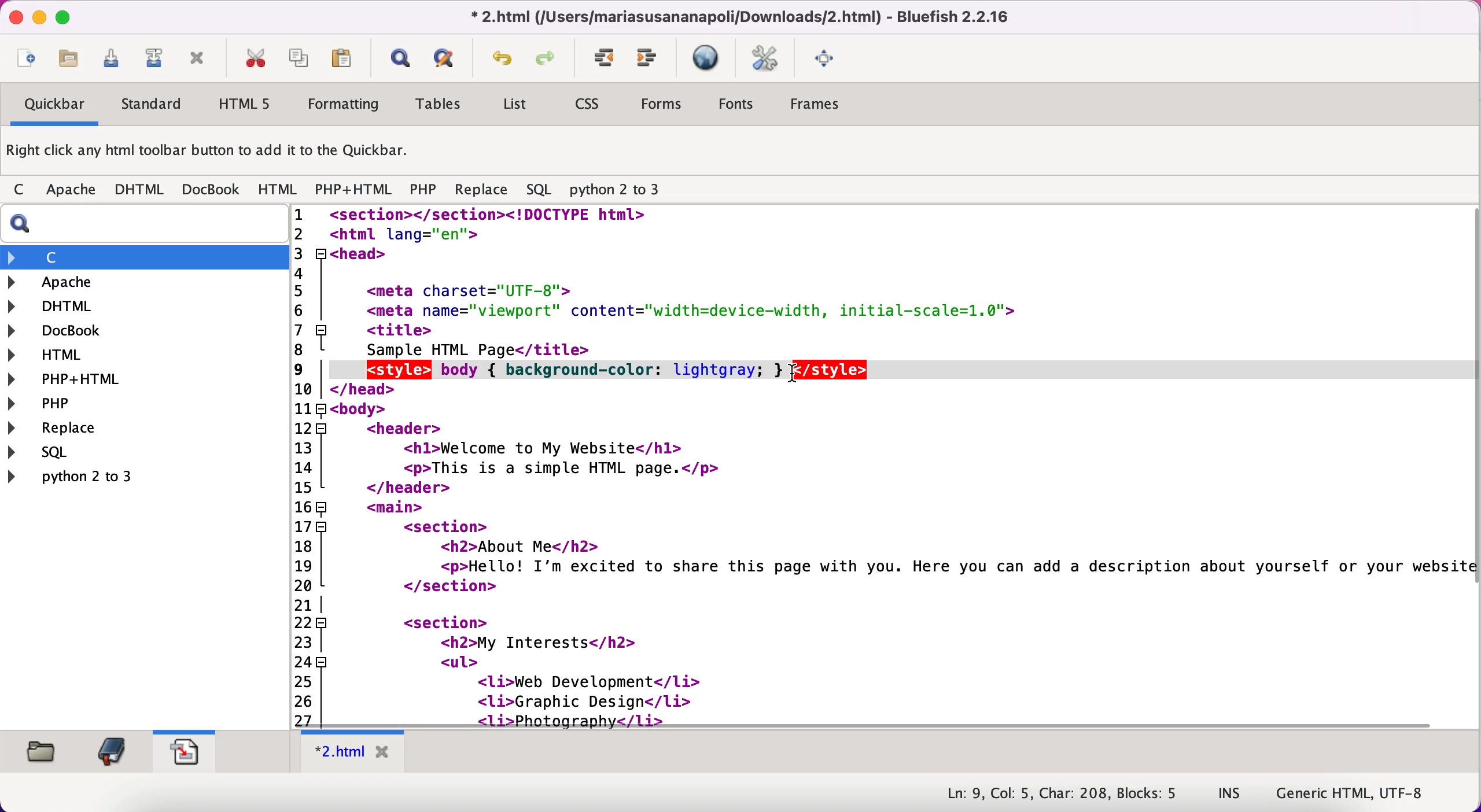  Describe the element at coordinates (443, 105) in the screenshot. I see `tables` at that location.